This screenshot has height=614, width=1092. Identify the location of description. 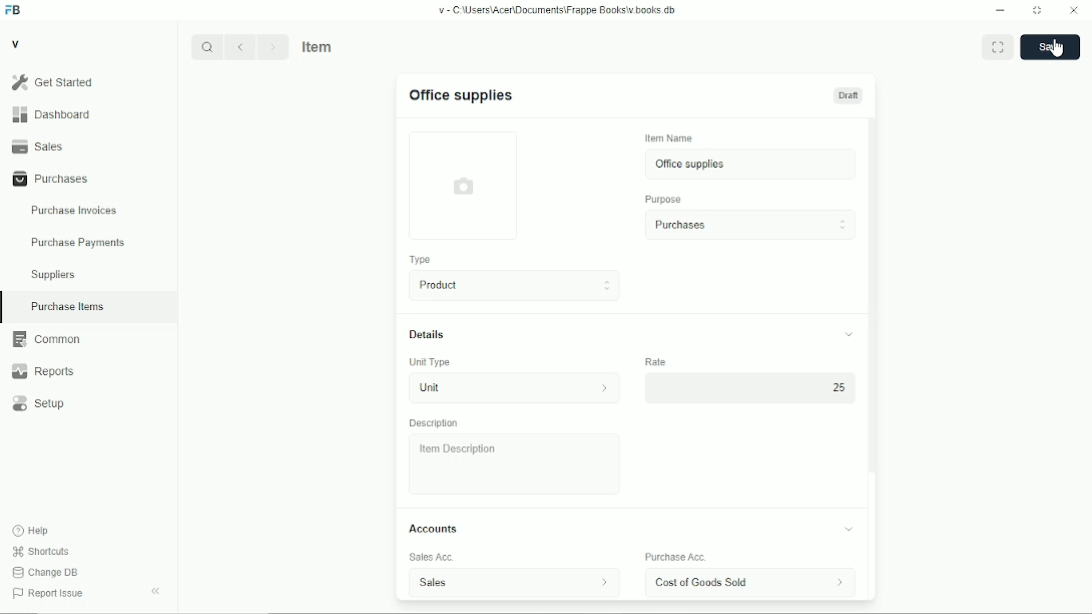
(434, 423).